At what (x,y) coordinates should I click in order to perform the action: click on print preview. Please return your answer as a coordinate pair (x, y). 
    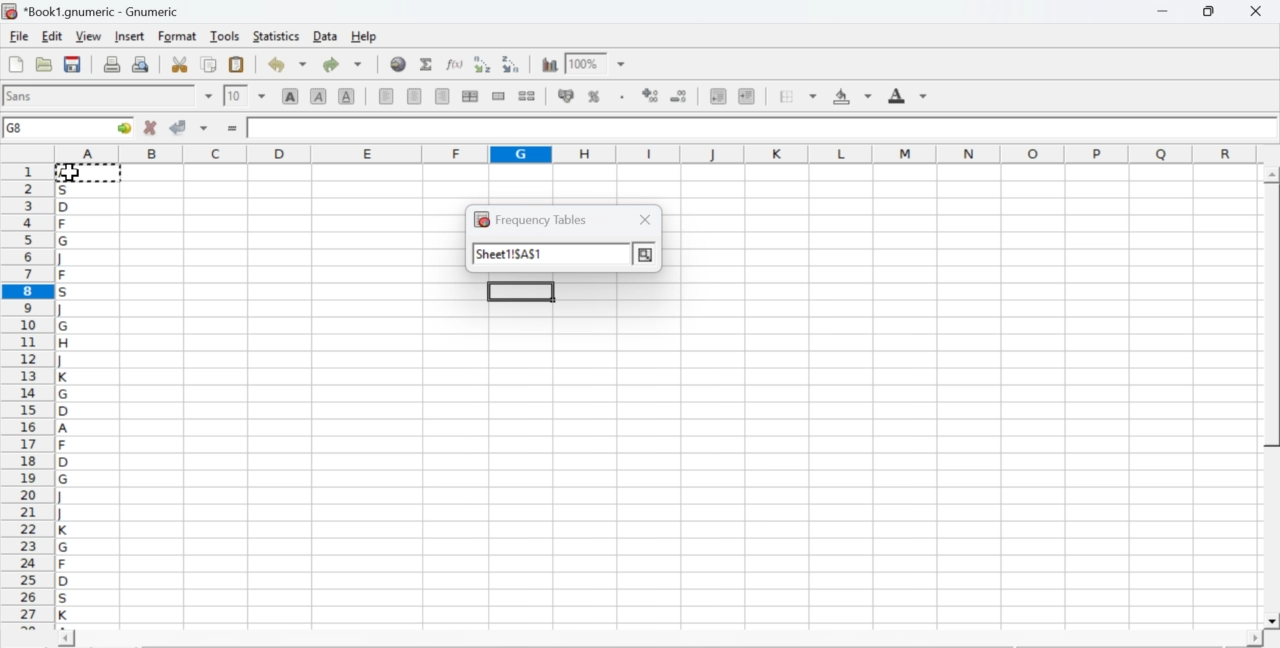
    Looking at the image, I should click on (141, 63).